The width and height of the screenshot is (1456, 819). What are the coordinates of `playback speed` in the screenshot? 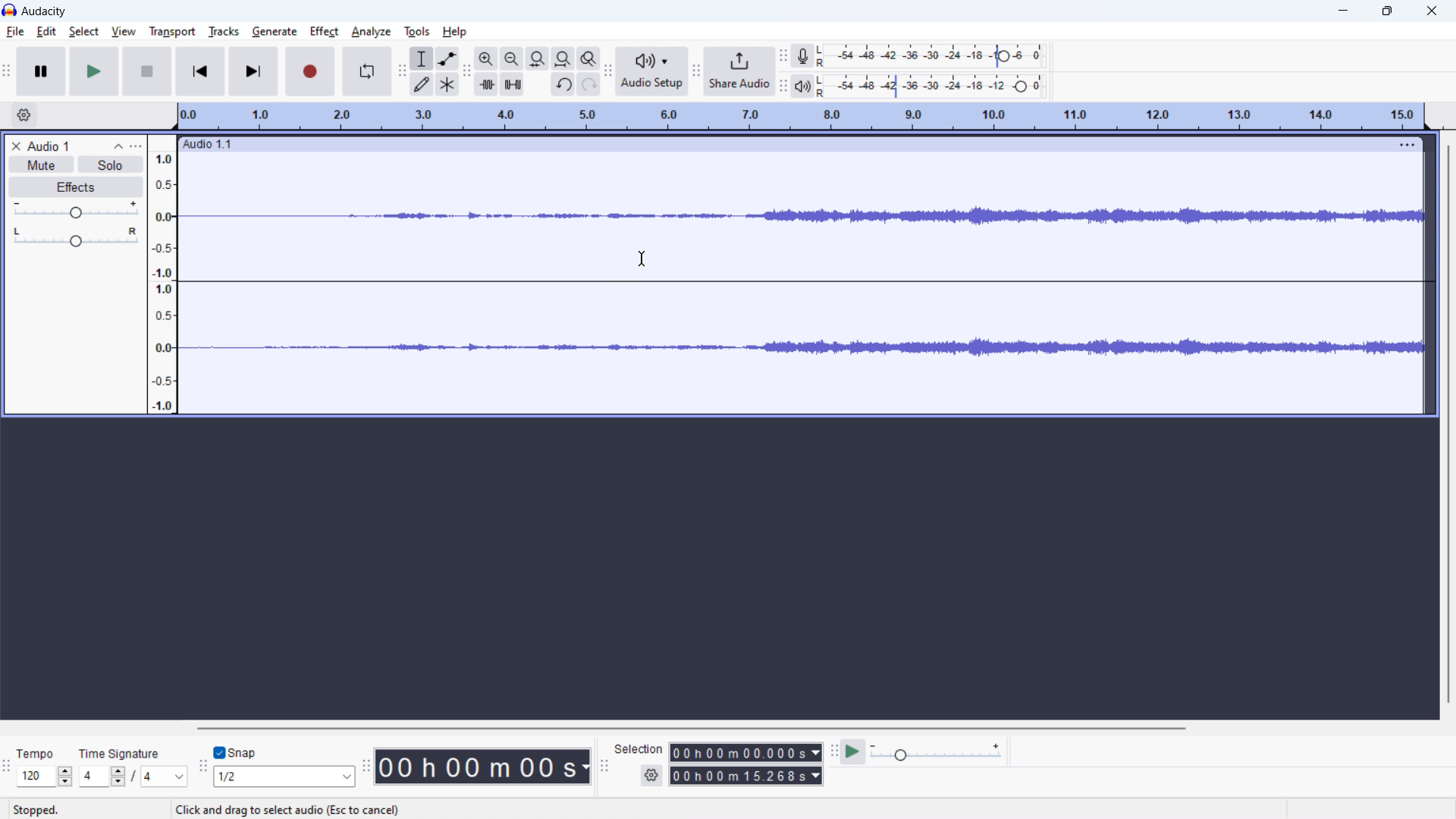 It's located at (937, 753).